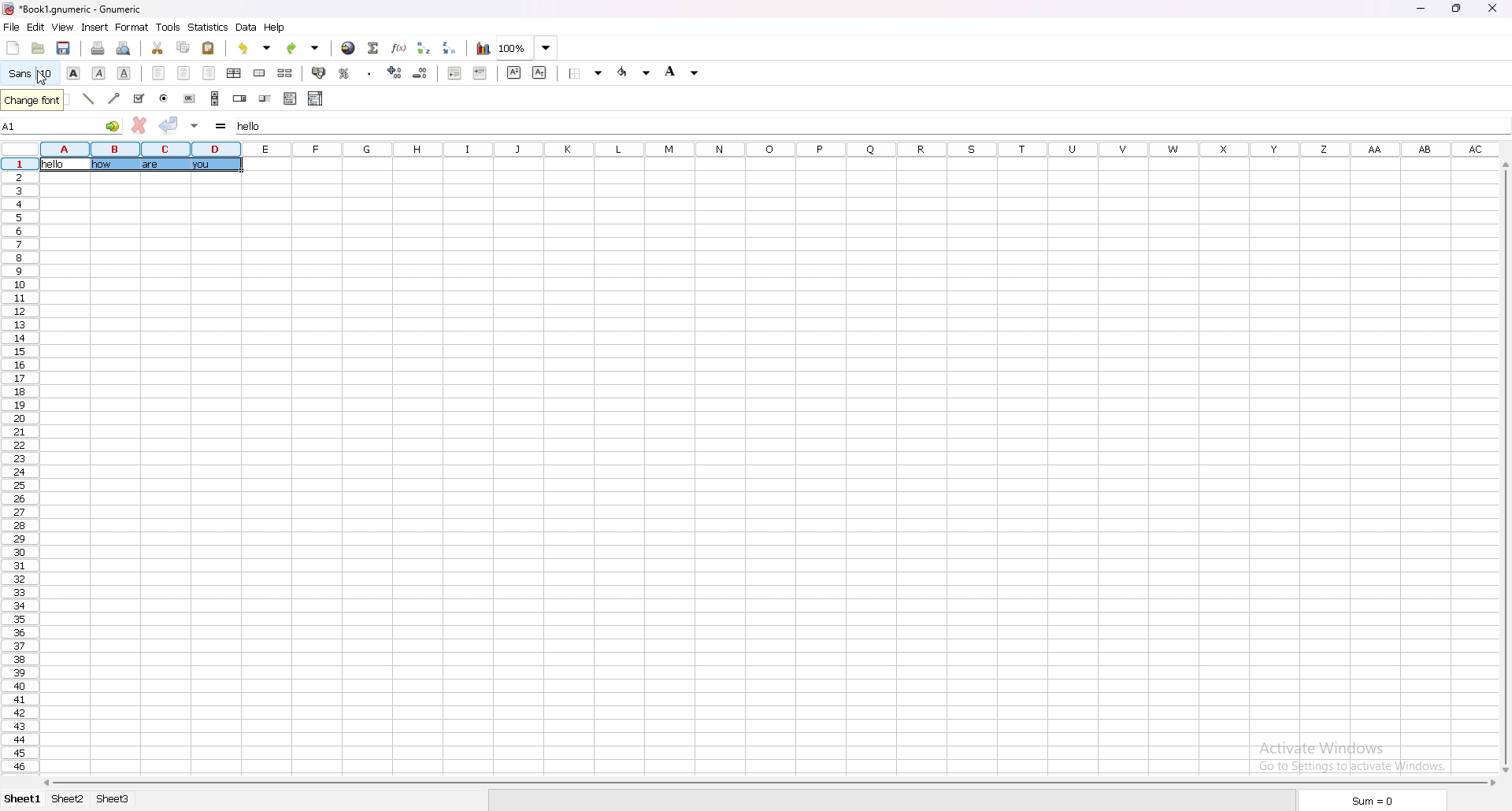  I want to click on selected cell row, so click(19, 164).